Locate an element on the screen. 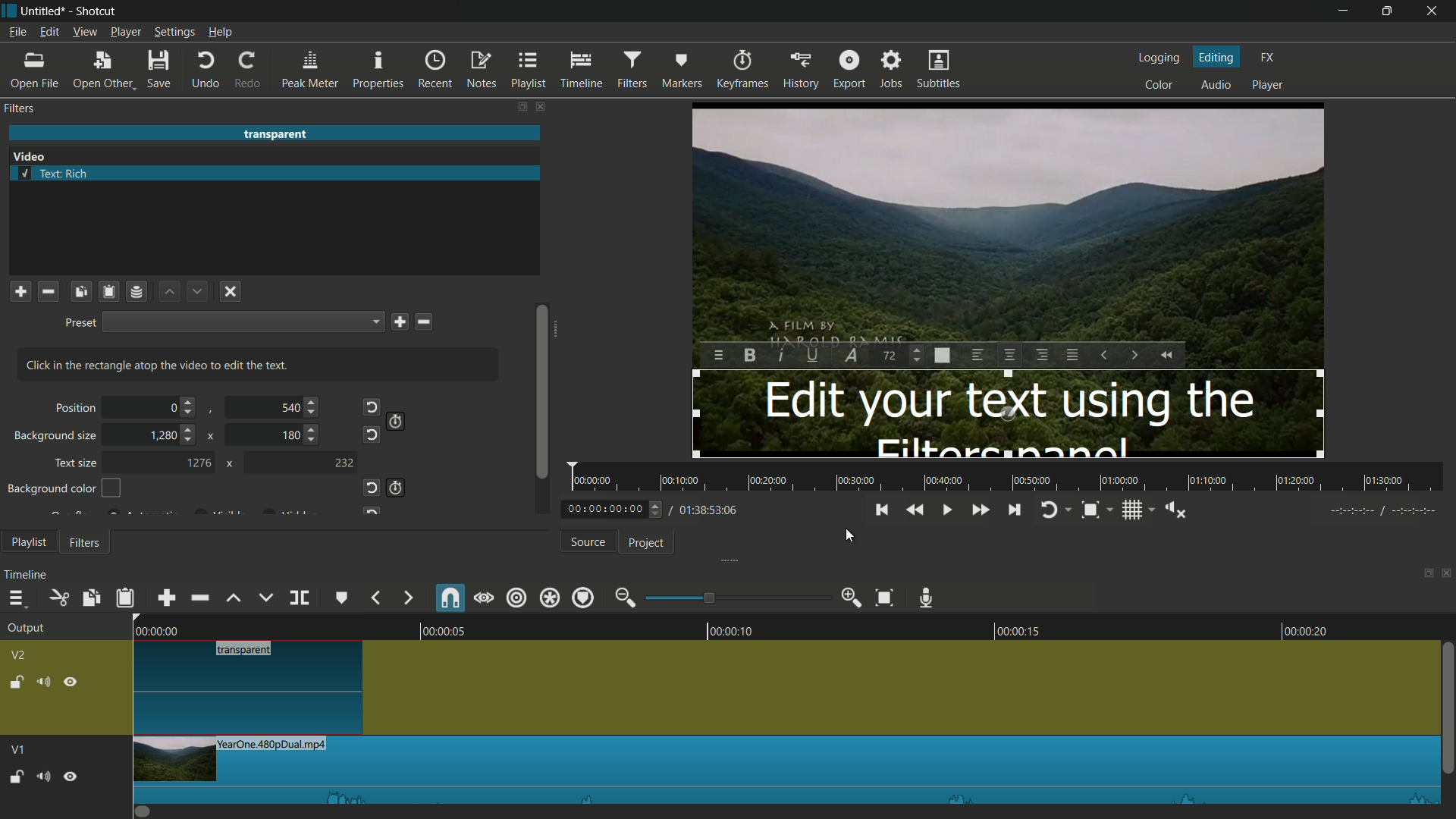  maximize is located at coordinates (1387, 11).